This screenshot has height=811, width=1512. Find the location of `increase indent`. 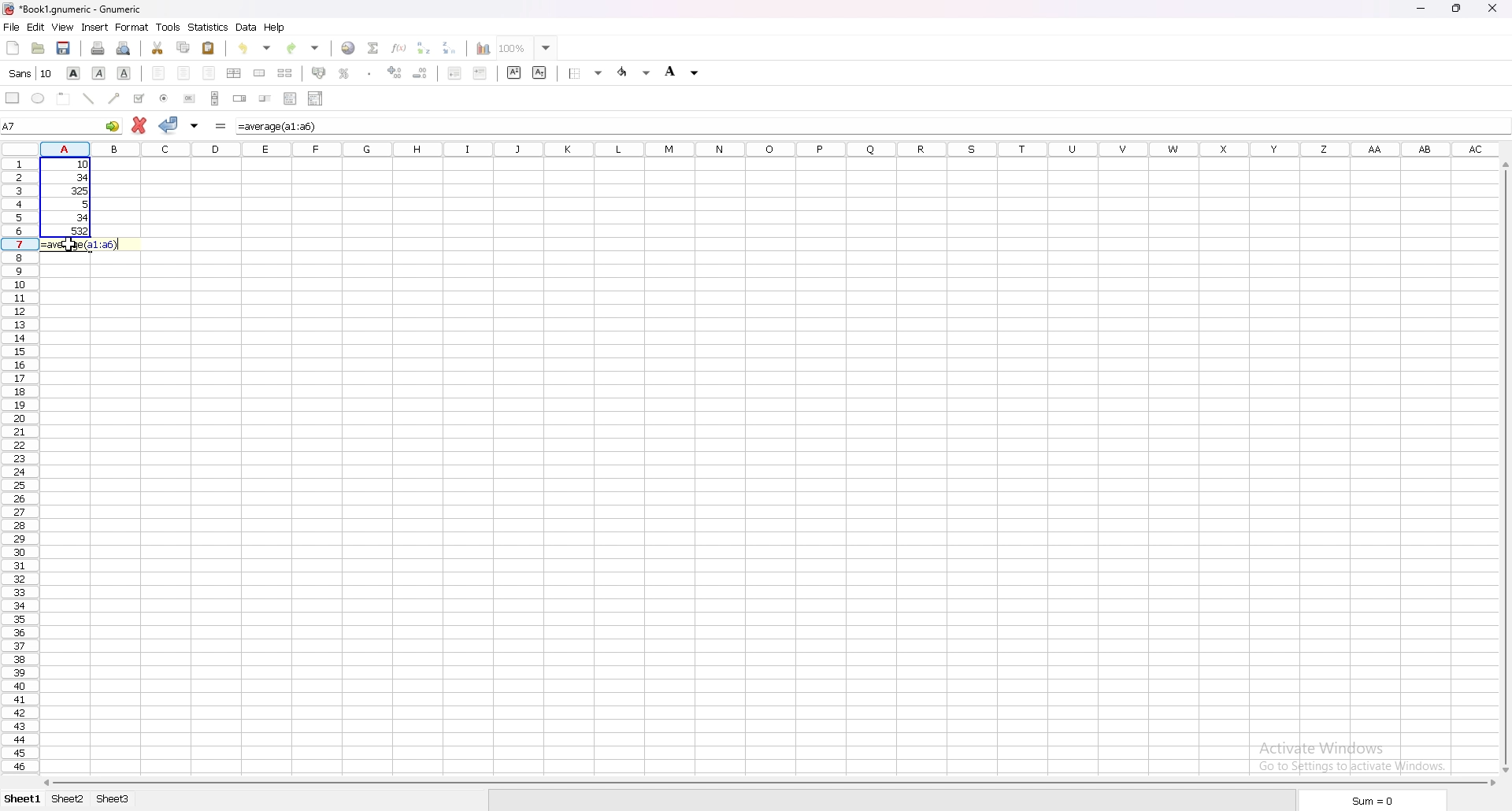

increase indent is located at coordinates (479, 72).